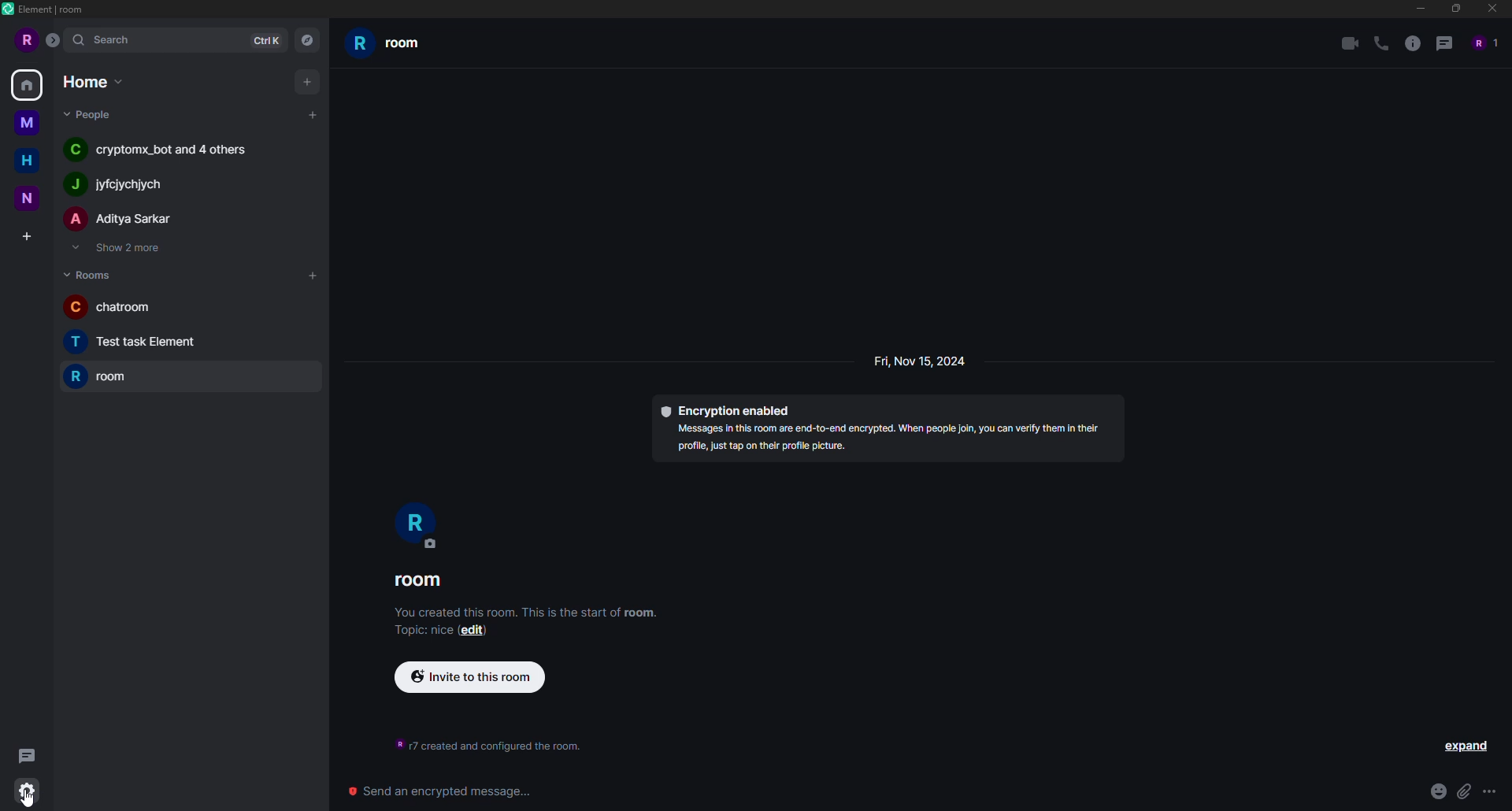 The width and height of the screenshot is (1512, 811). I want to click on rooms, so click(88, 273).